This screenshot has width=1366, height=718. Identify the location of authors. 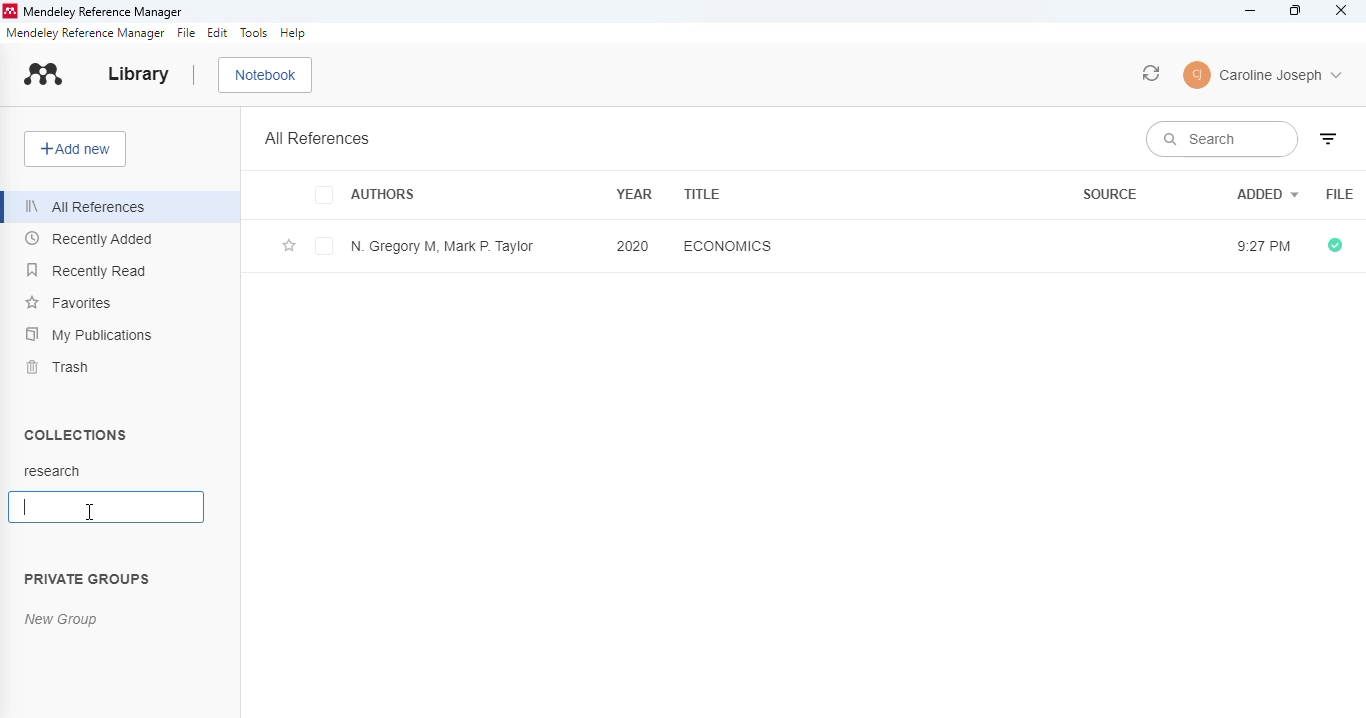
(384, 196).